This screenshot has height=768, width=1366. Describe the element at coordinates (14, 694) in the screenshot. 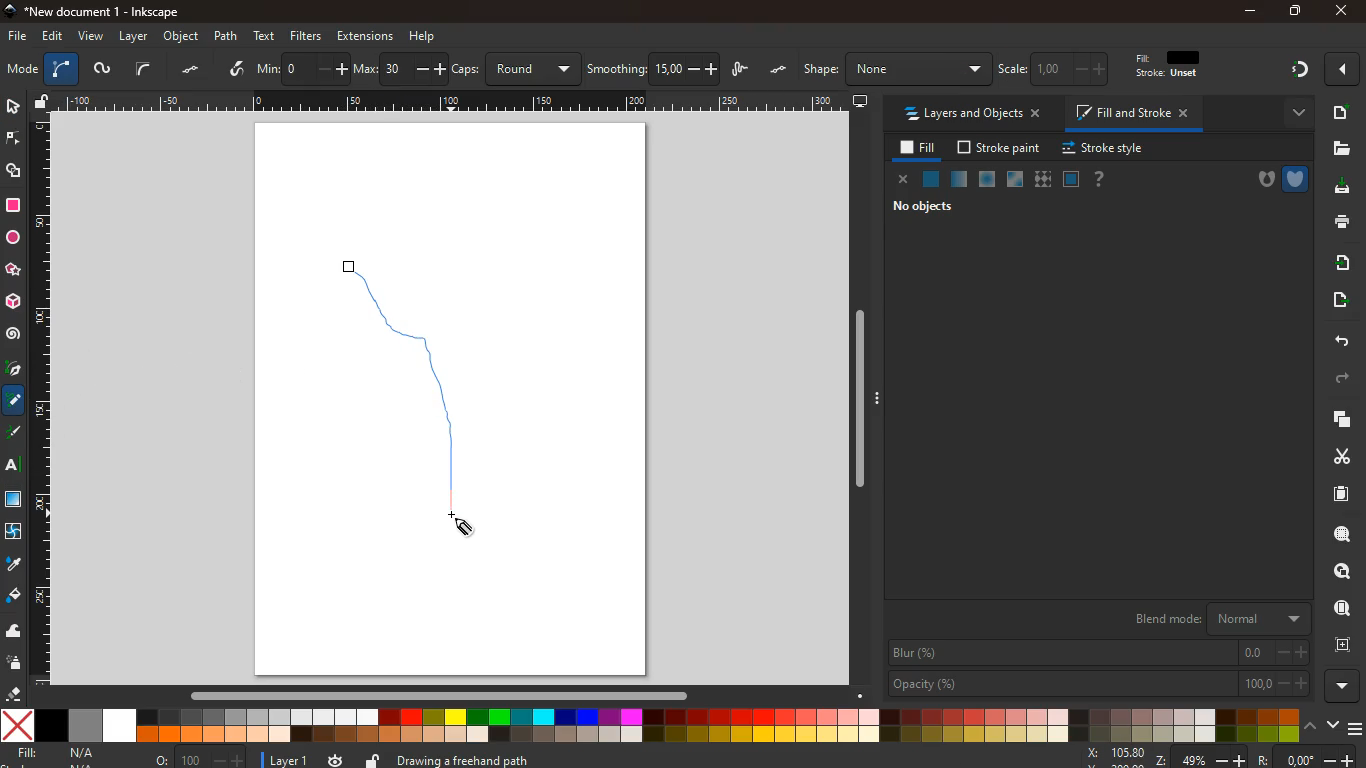

I see `erase` at that location.